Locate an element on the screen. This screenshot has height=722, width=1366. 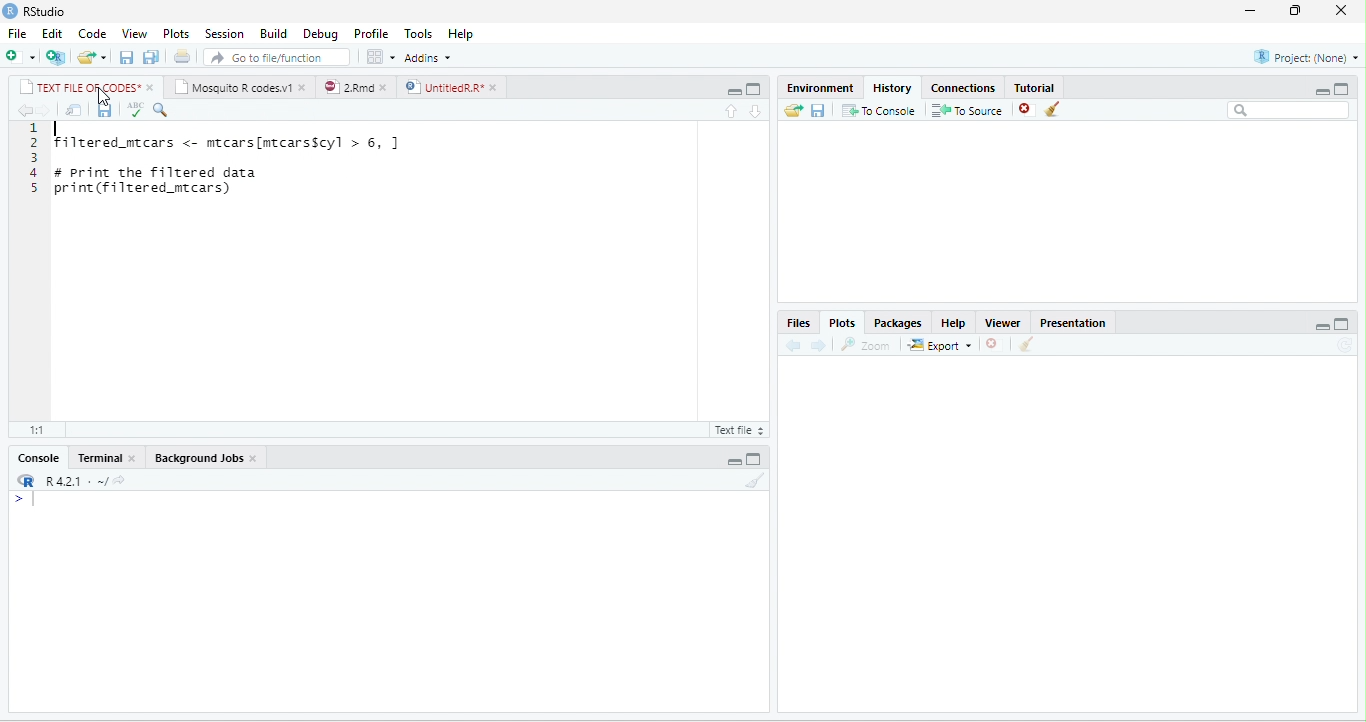
back is located at coordinates (794, 345).